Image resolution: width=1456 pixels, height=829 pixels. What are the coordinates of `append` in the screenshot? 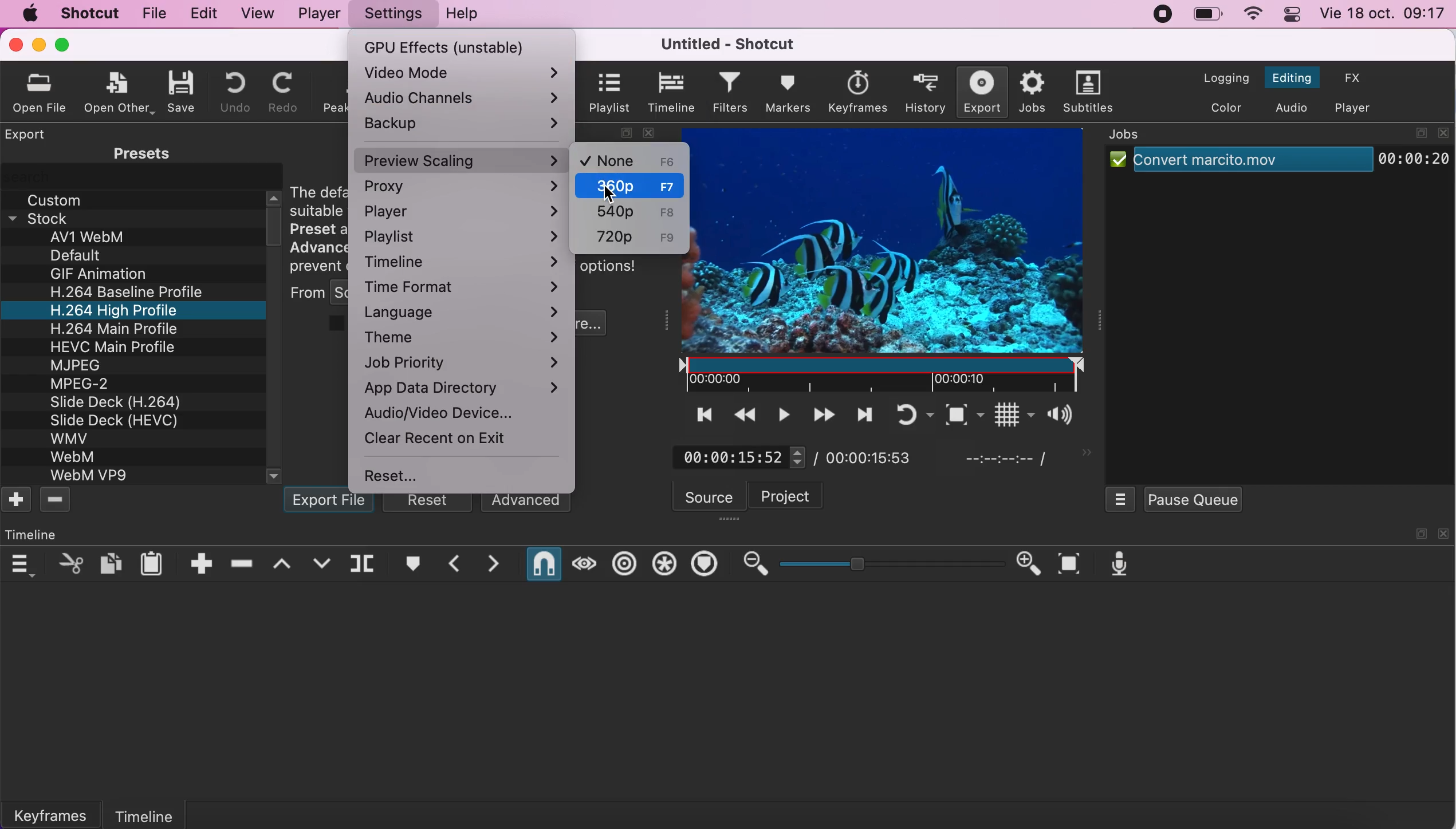 It's located at (200, 563).